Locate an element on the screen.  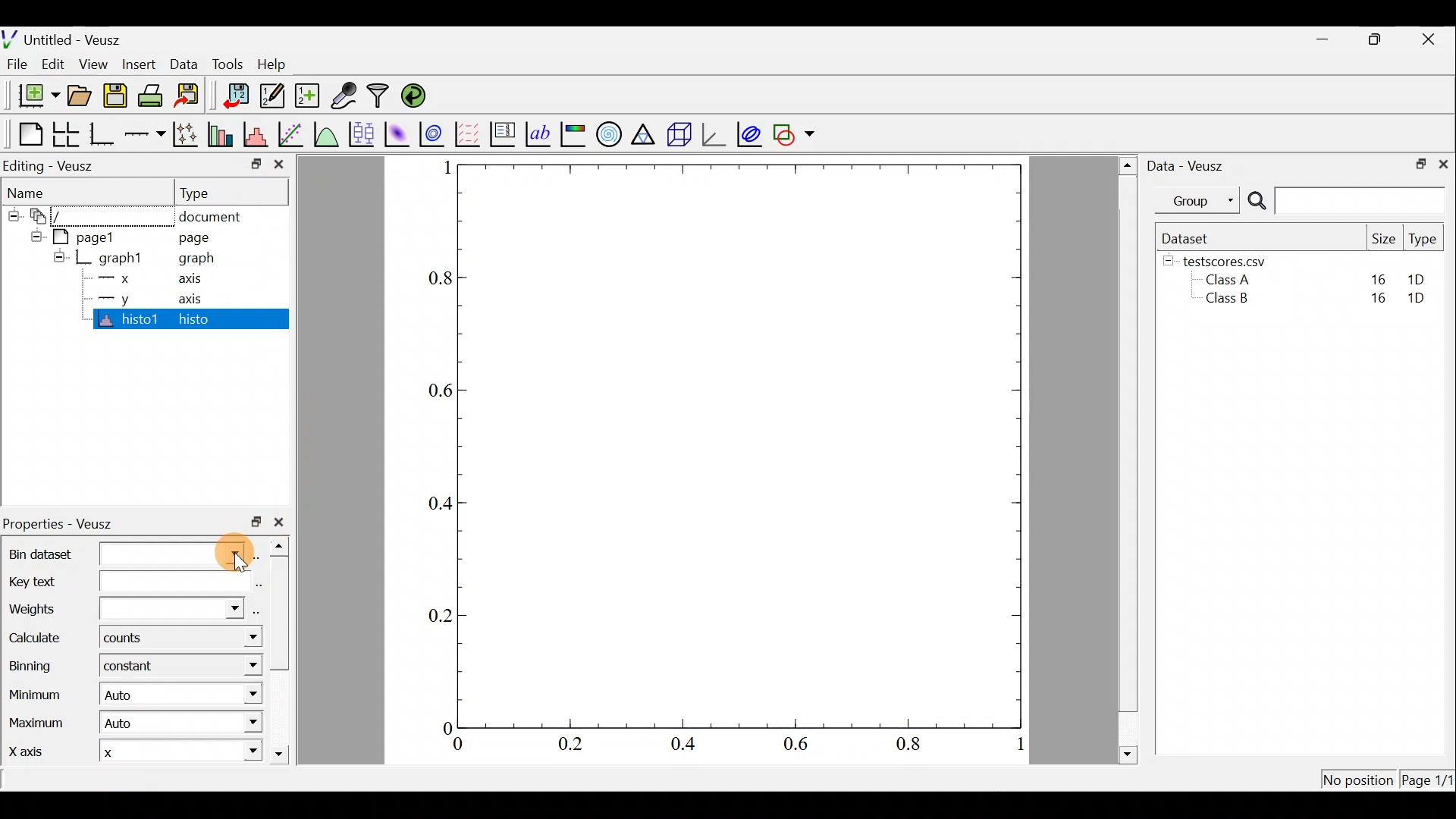
Base graph is located at coordinates (102, 132).